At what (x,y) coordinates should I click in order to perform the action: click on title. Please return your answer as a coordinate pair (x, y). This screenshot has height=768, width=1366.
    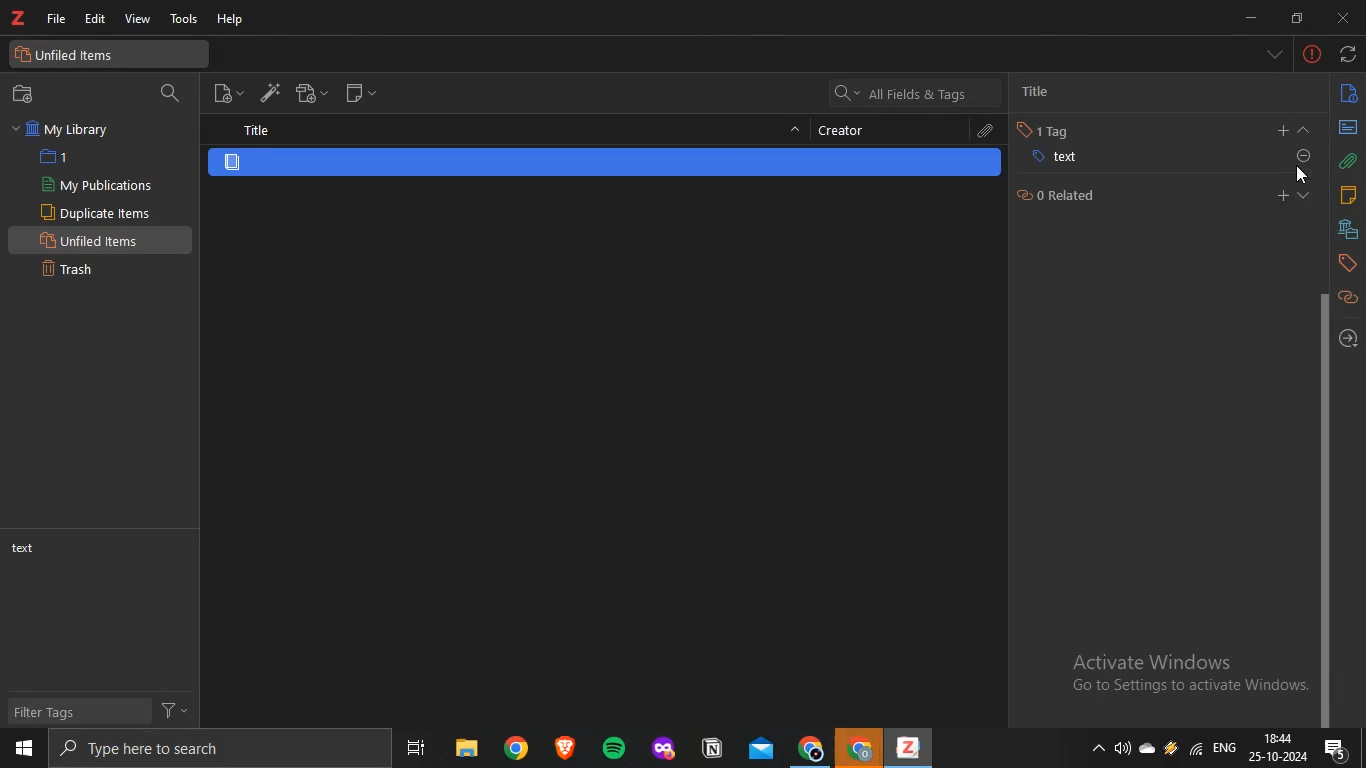
    Looking at the image, I should click on (1039, 92).